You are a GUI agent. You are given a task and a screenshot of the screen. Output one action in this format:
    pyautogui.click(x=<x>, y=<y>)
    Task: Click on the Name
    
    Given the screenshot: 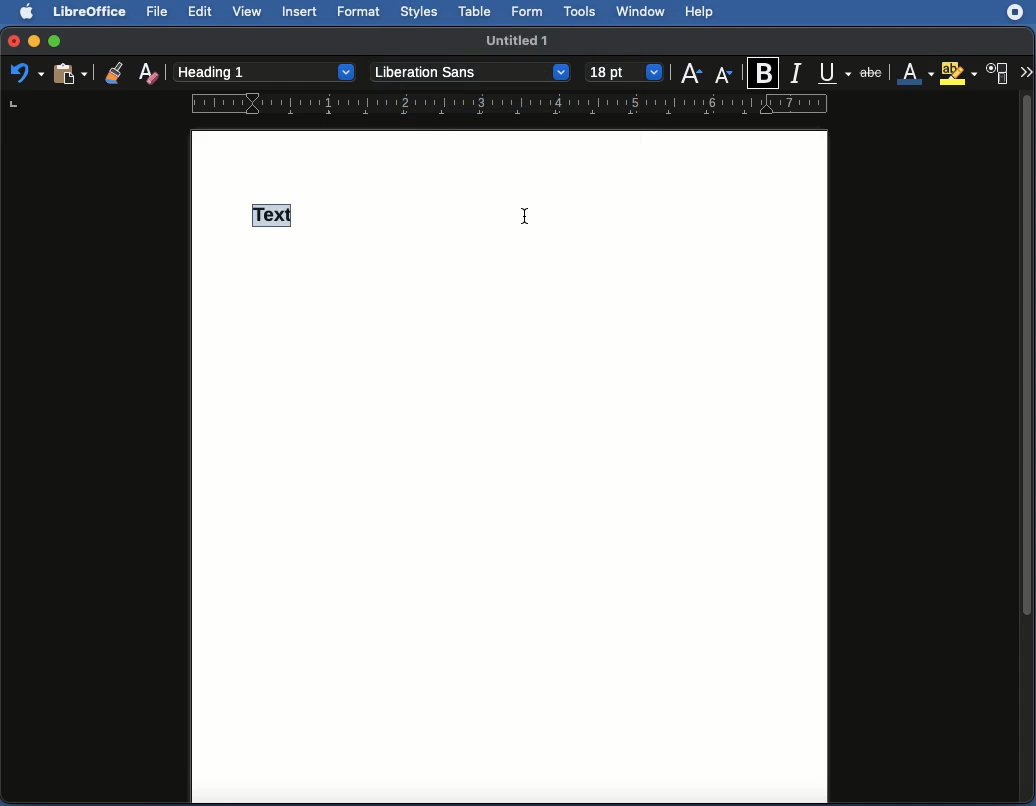 What is the action you would take?
    pyautogui.click(x=519, y=41)
    